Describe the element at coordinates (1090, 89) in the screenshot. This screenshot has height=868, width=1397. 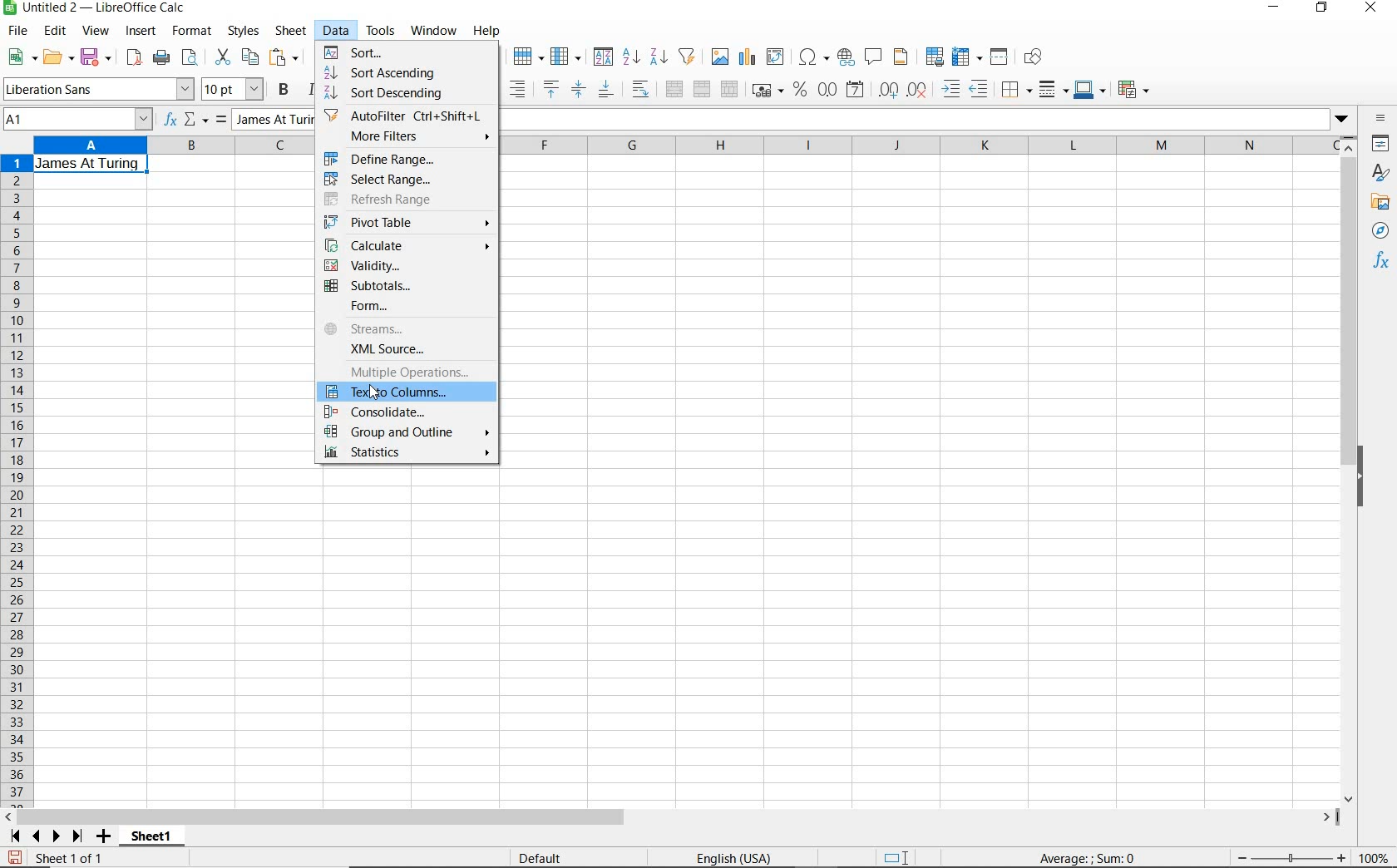
I see `border color` at that location.